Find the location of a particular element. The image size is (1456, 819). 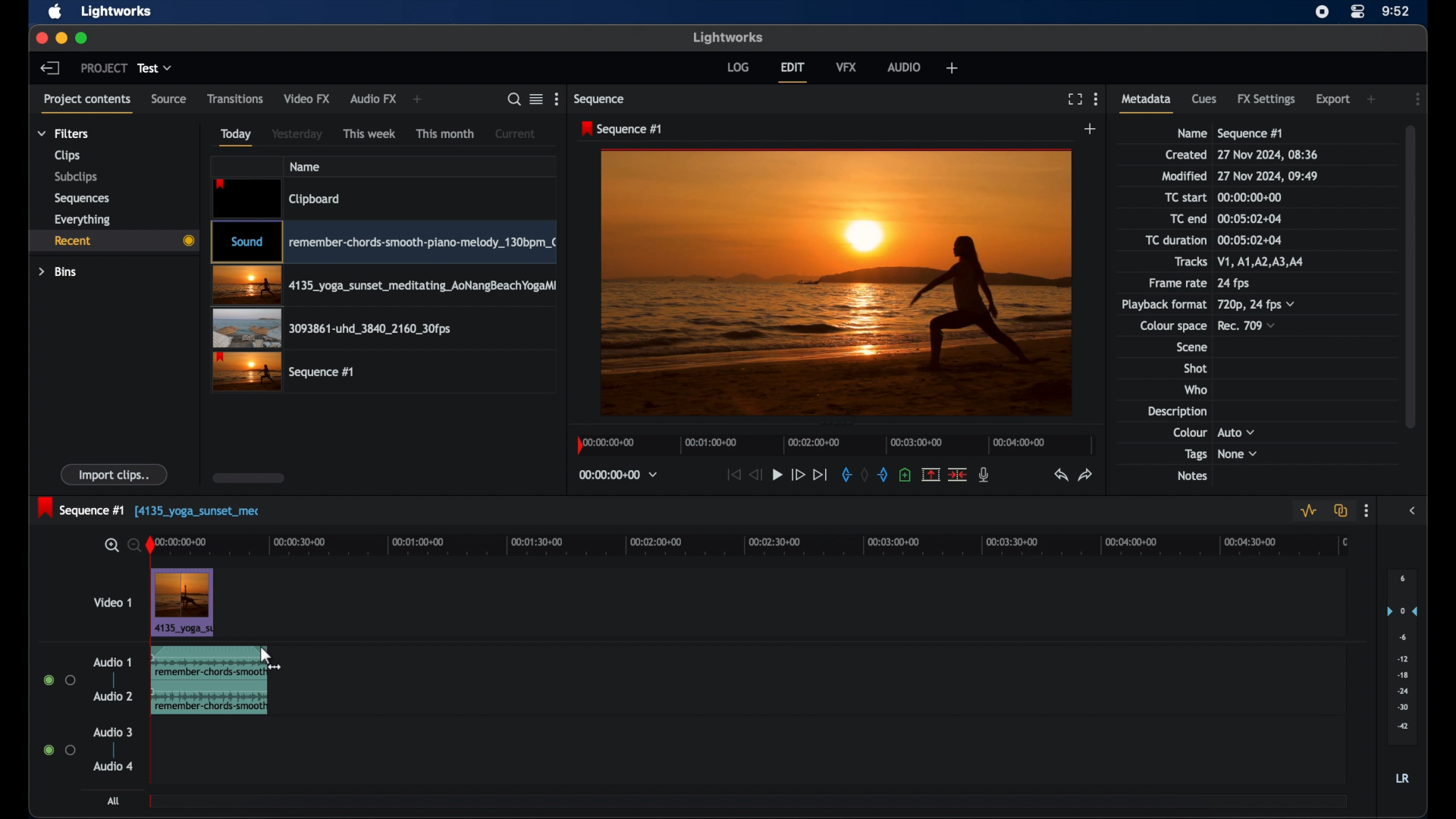

import clips is located at coordinates (115, 474).